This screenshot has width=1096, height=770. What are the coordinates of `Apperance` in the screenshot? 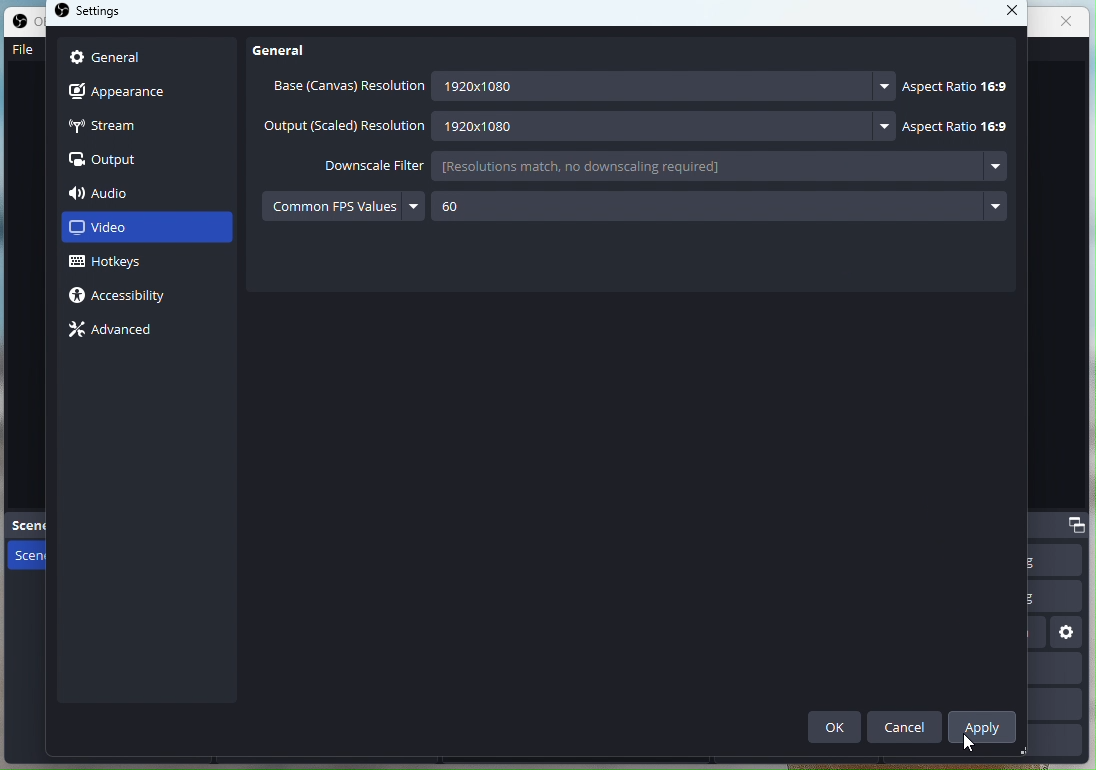 It's located at (148, 92).